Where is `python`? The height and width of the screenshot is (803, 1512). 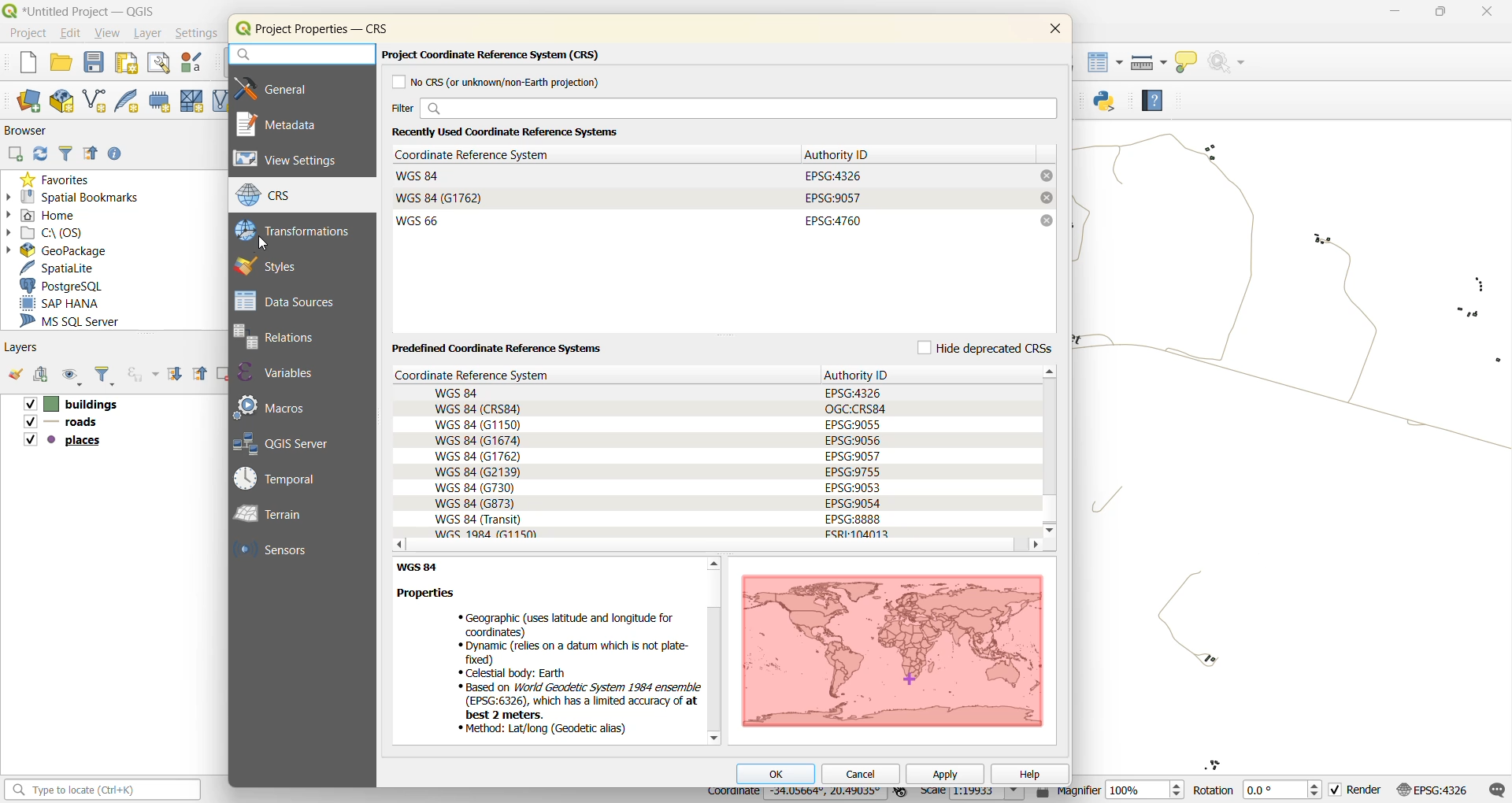
python is located at coordinates (1110, 103).